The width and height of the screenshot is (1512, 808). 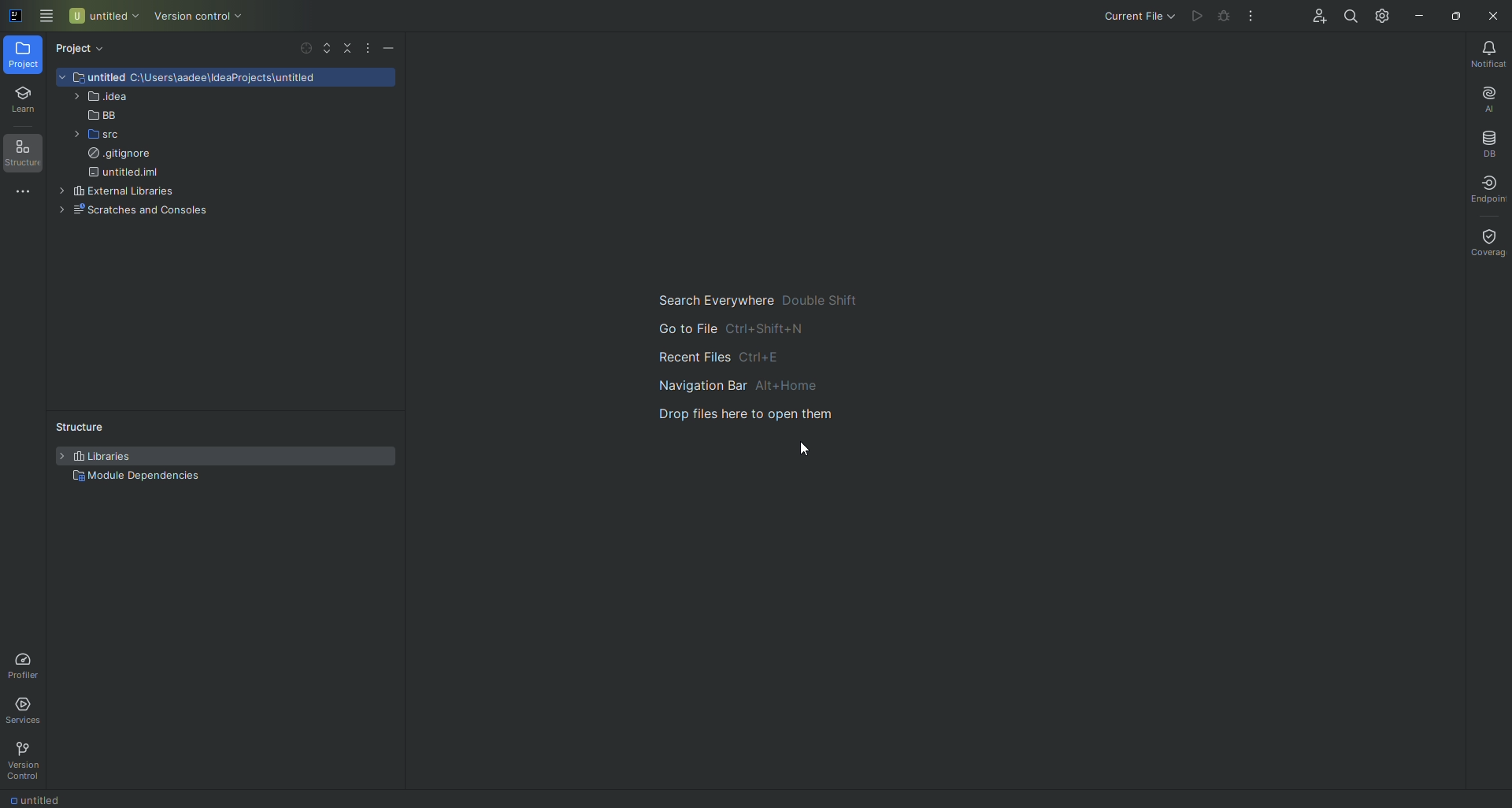 I want to click on AI Assistant, so click(x=1478, y=98).